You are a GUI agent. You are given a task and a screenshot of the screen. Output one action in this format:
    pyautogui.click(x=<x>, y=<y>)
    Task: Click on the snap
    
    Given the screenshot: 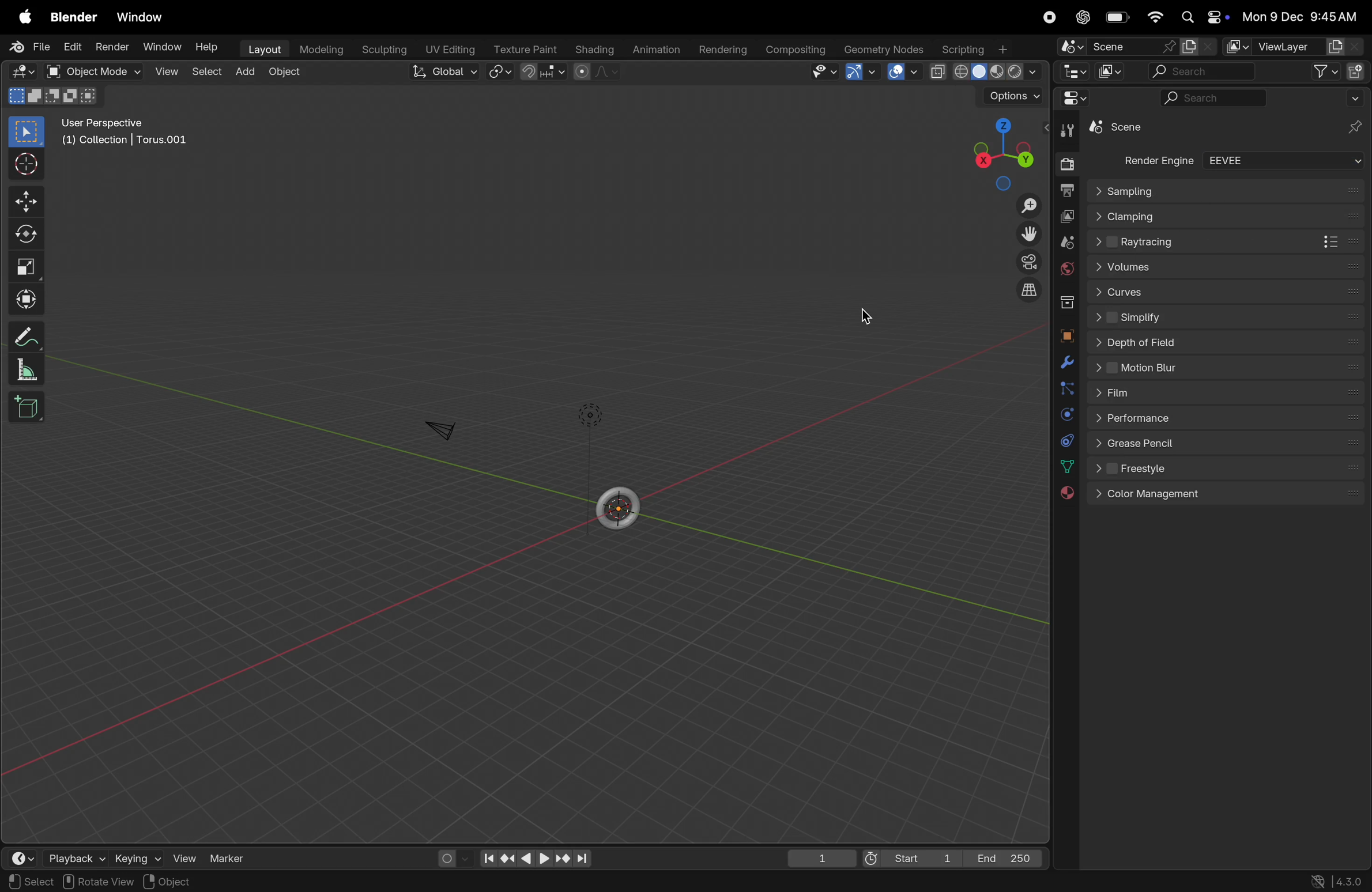 What is the action you would take?
    pyautogui.click(x=542, y=73)
    